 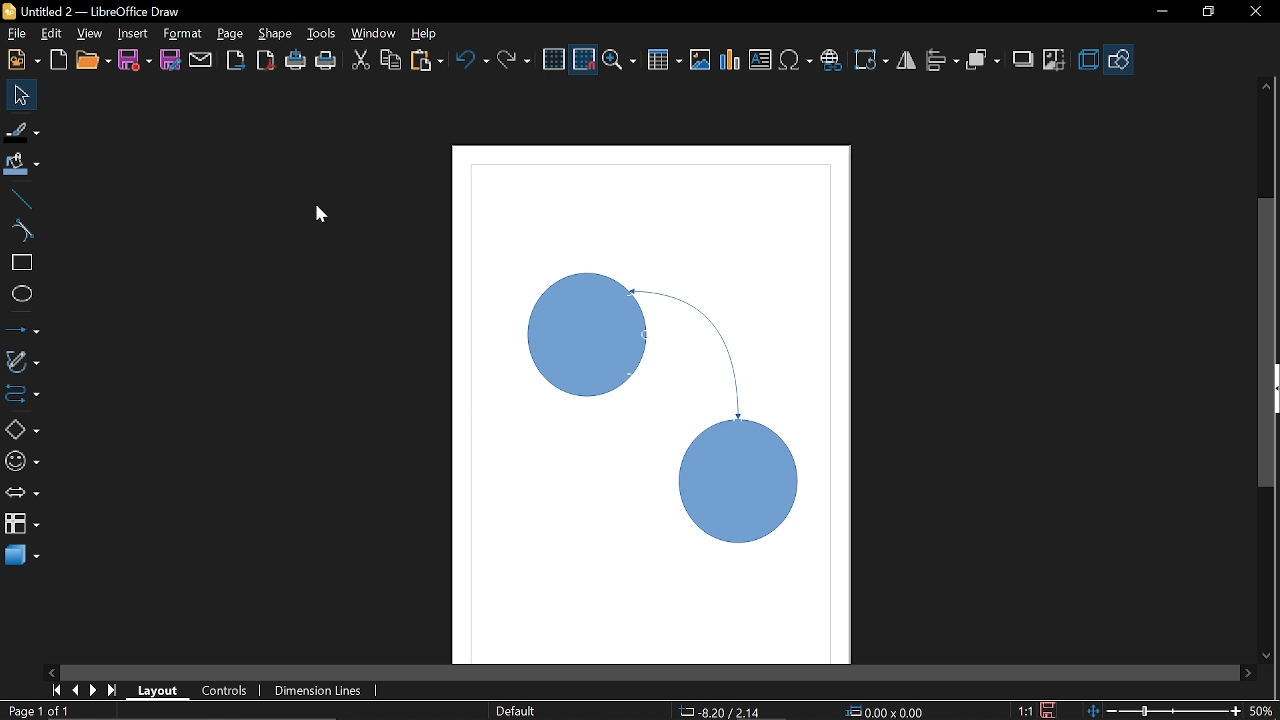 What do you see at coordinates (275, 34) in the screenshot?
I see `Shape` at bounding box center [275, 34].